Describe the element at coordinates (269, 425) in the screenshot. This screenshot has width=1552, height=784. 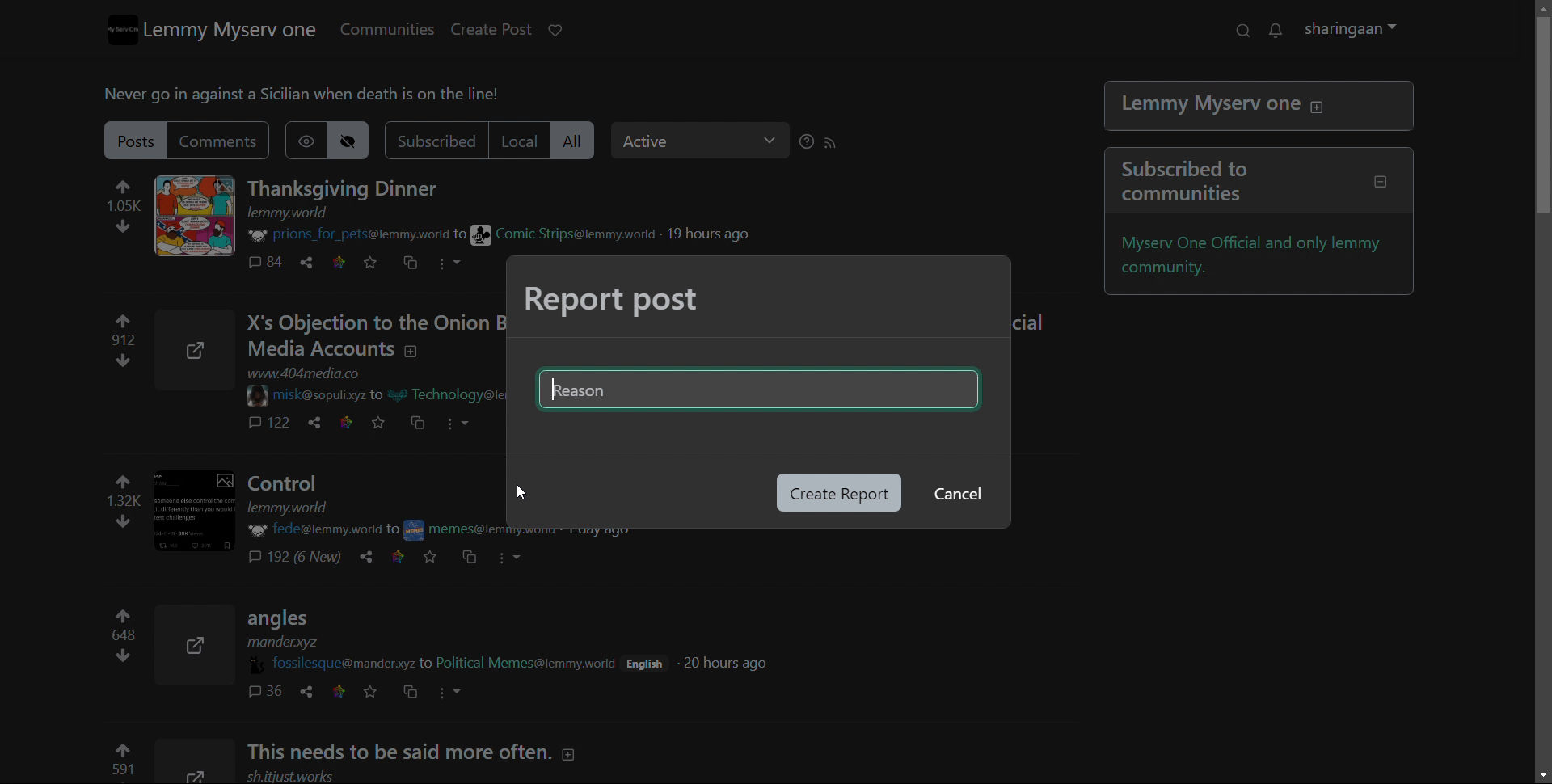
I see `comments` at that location.